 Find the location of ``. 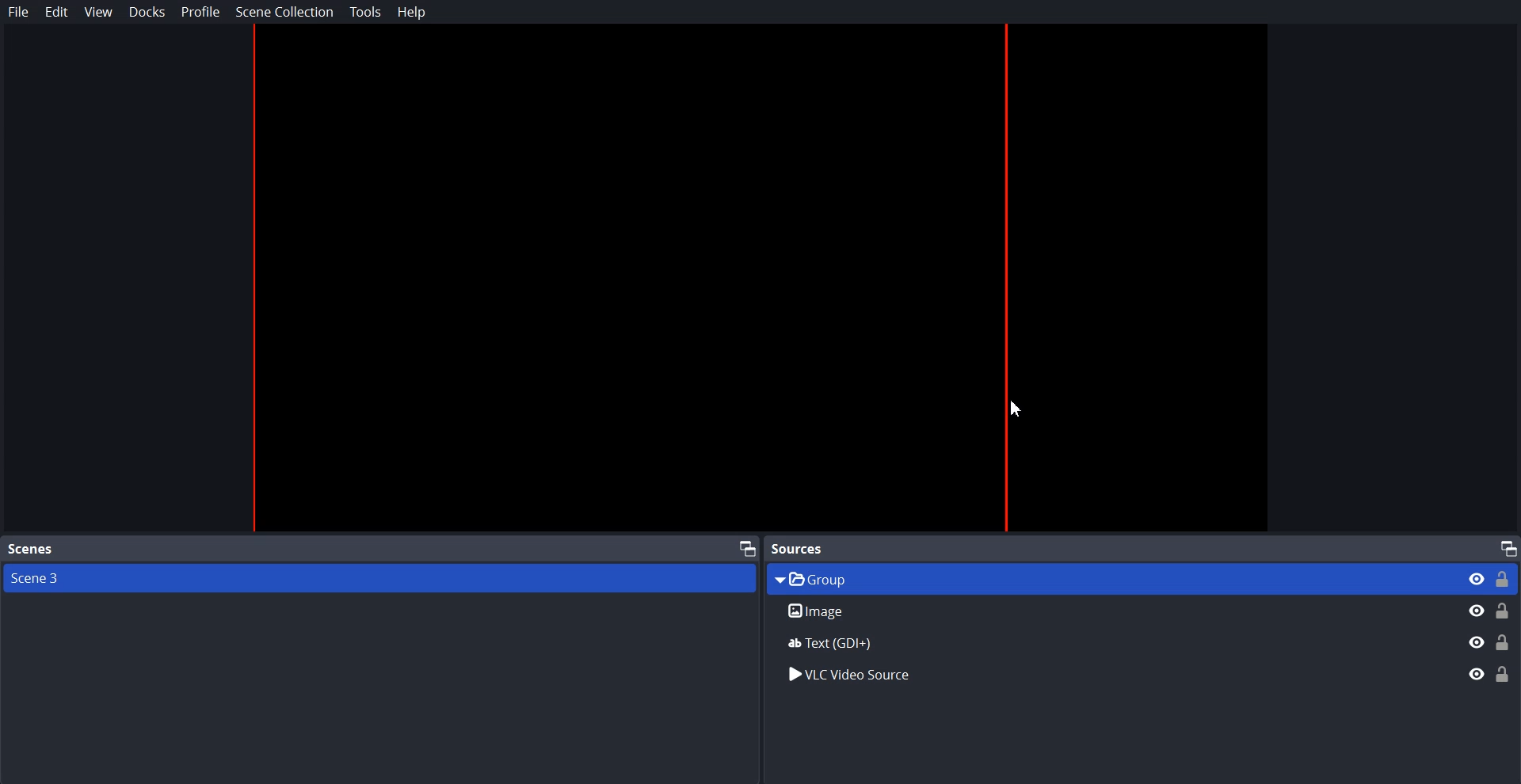

 is located at coordinates (1138, 676).